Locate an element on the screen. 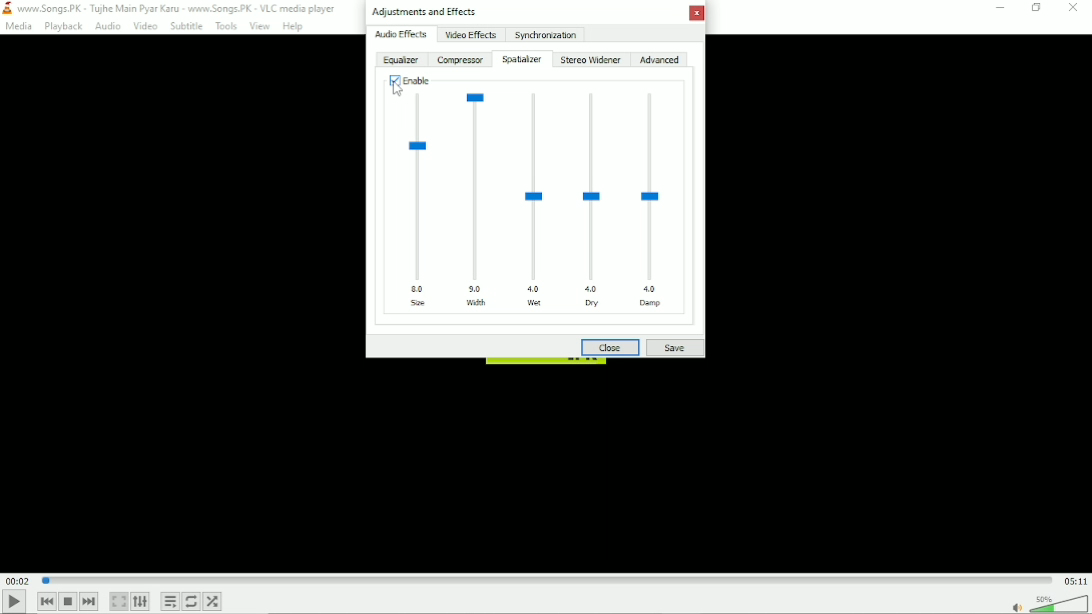  Stereo widener is located at coordinates (591, 60).